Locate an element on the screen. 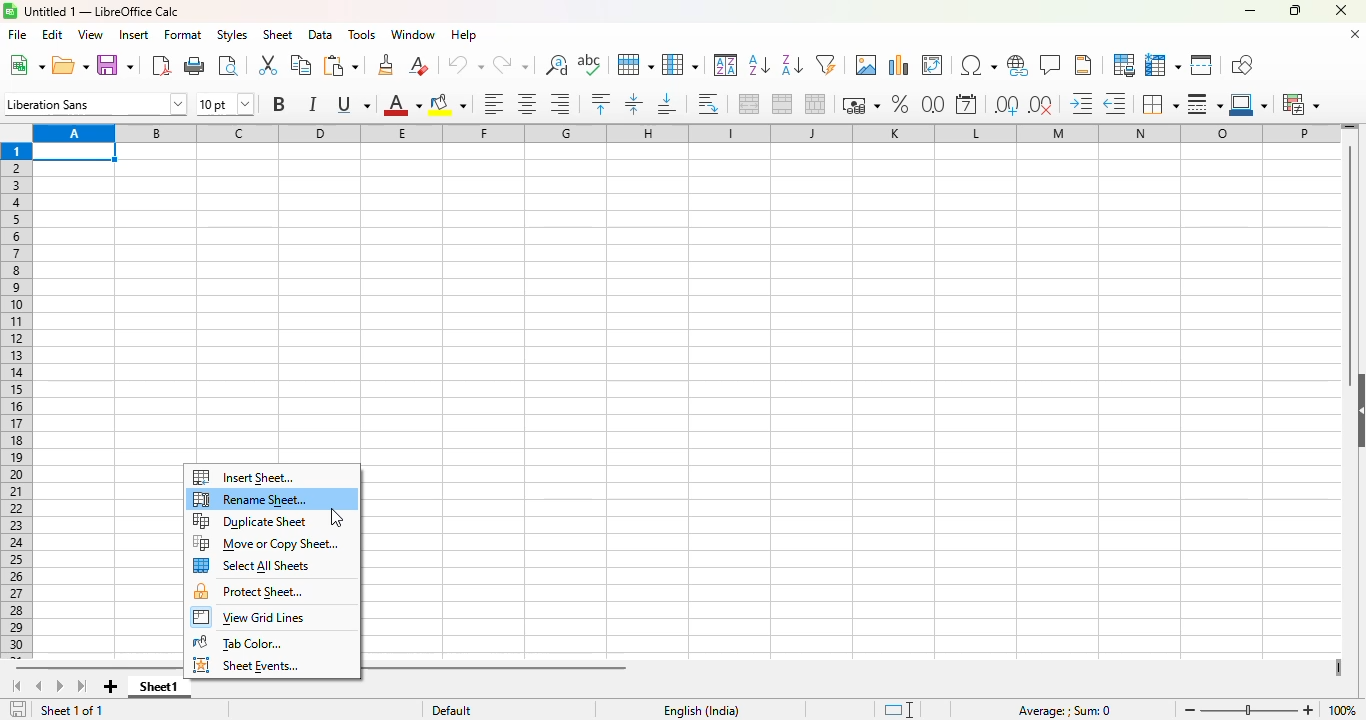  scroll to next sheet is located at coordinates (61, 687).